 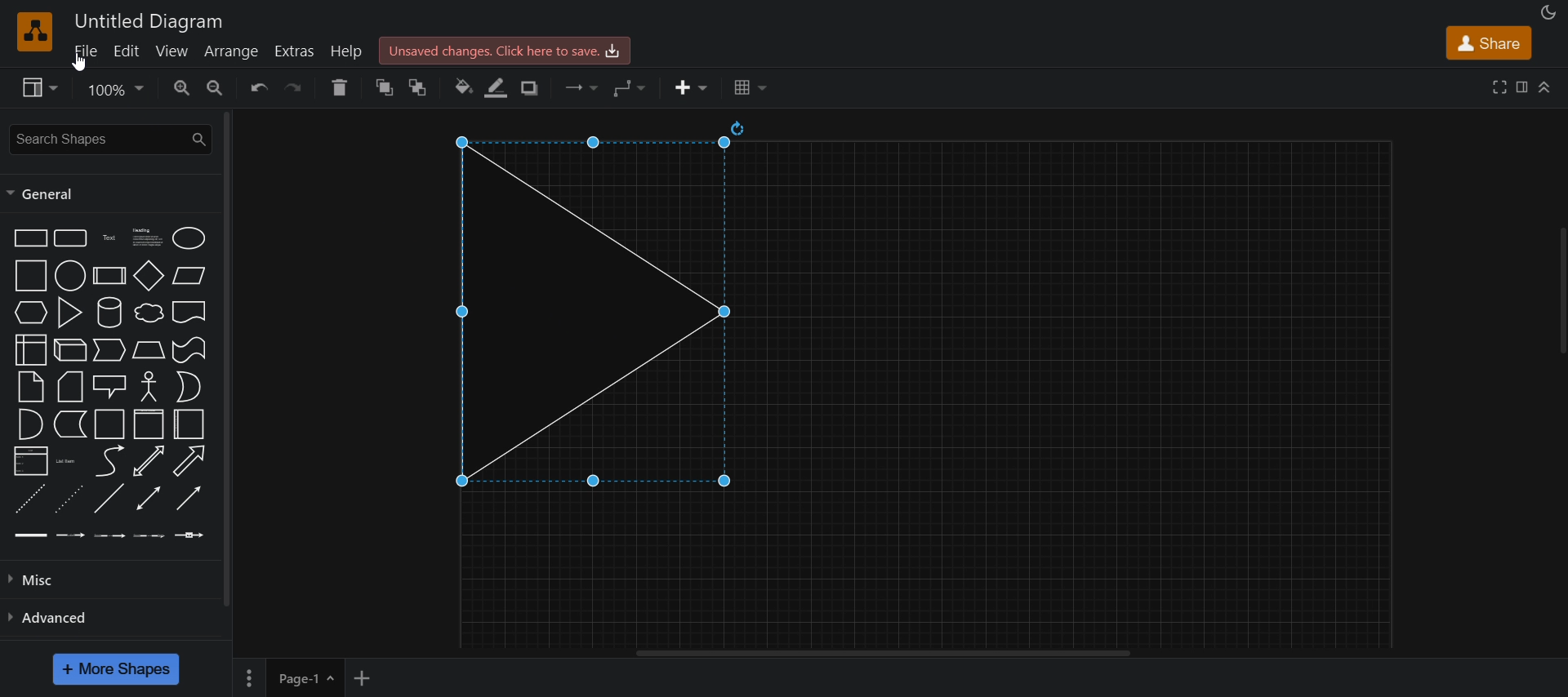 What do you see at coordinates (188, 386) in the screenshot?
I see `or` at bounding box center [188, 386].